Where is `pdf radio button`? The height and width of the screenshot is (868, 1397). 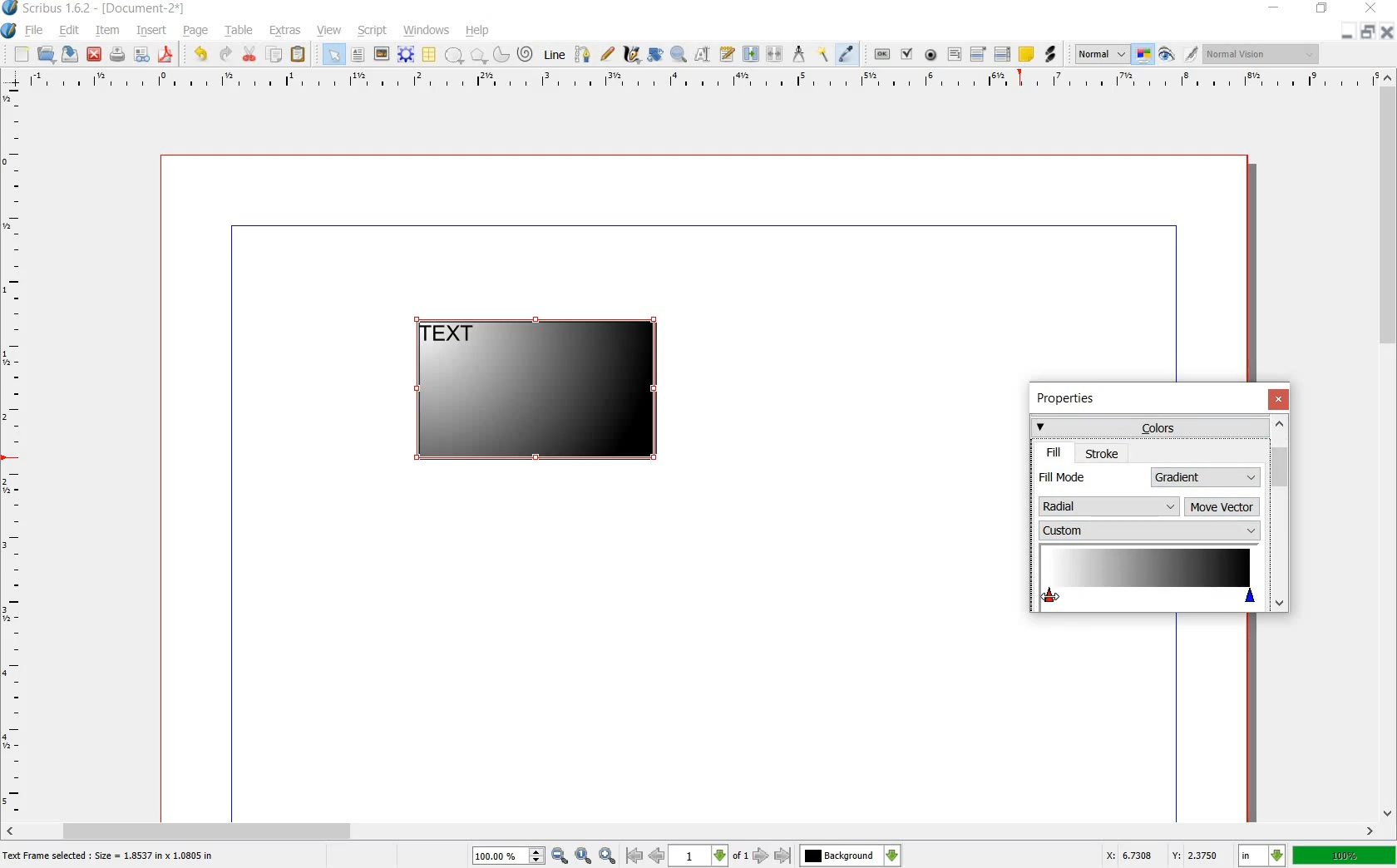 pdf radio button is located at coordinates (931, 55).